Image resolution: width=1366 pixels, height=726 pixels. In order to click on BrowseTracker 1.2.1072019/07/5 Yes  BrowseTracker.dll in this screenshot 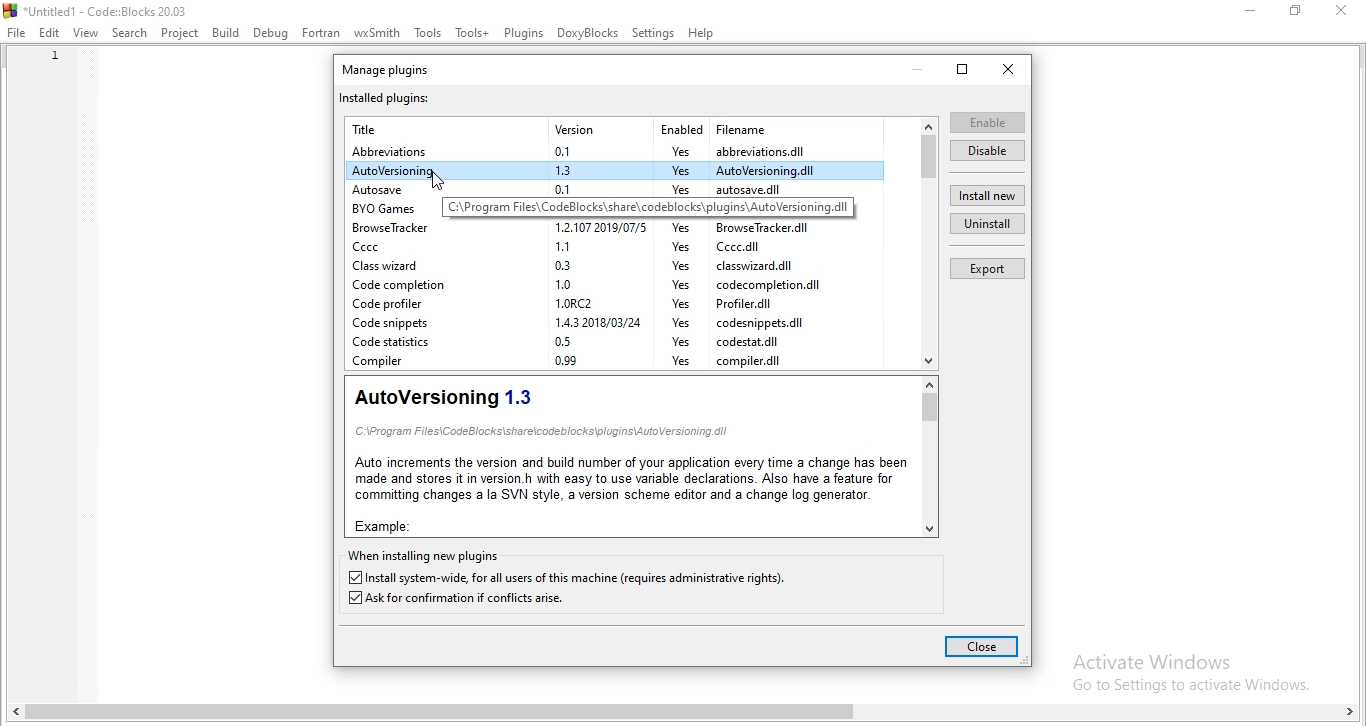, I will do `click(581, 228)`.